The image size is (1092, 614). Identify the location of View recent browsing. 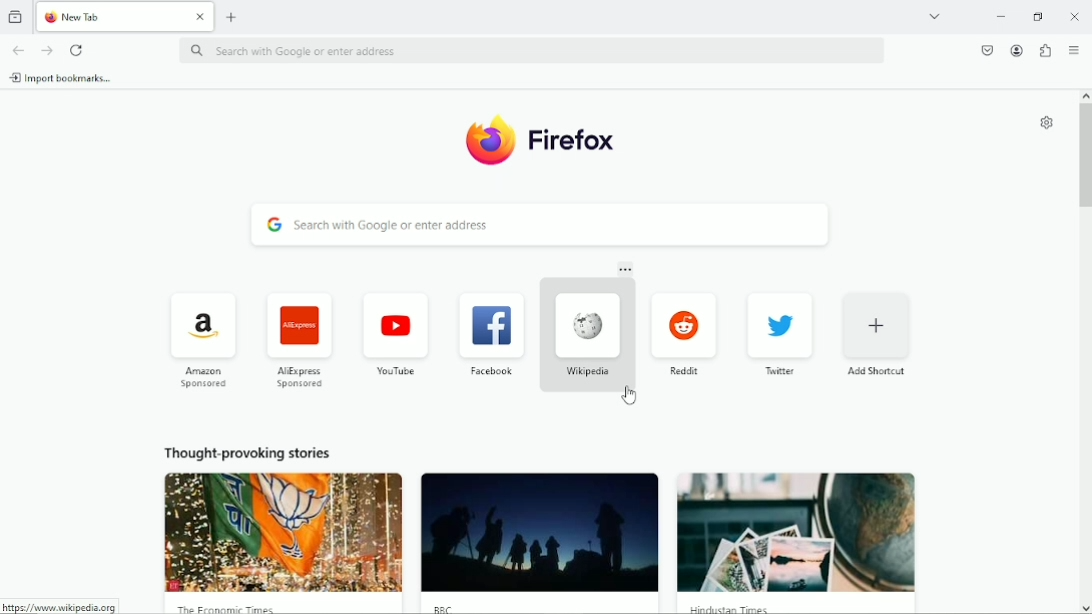
(14, 17).